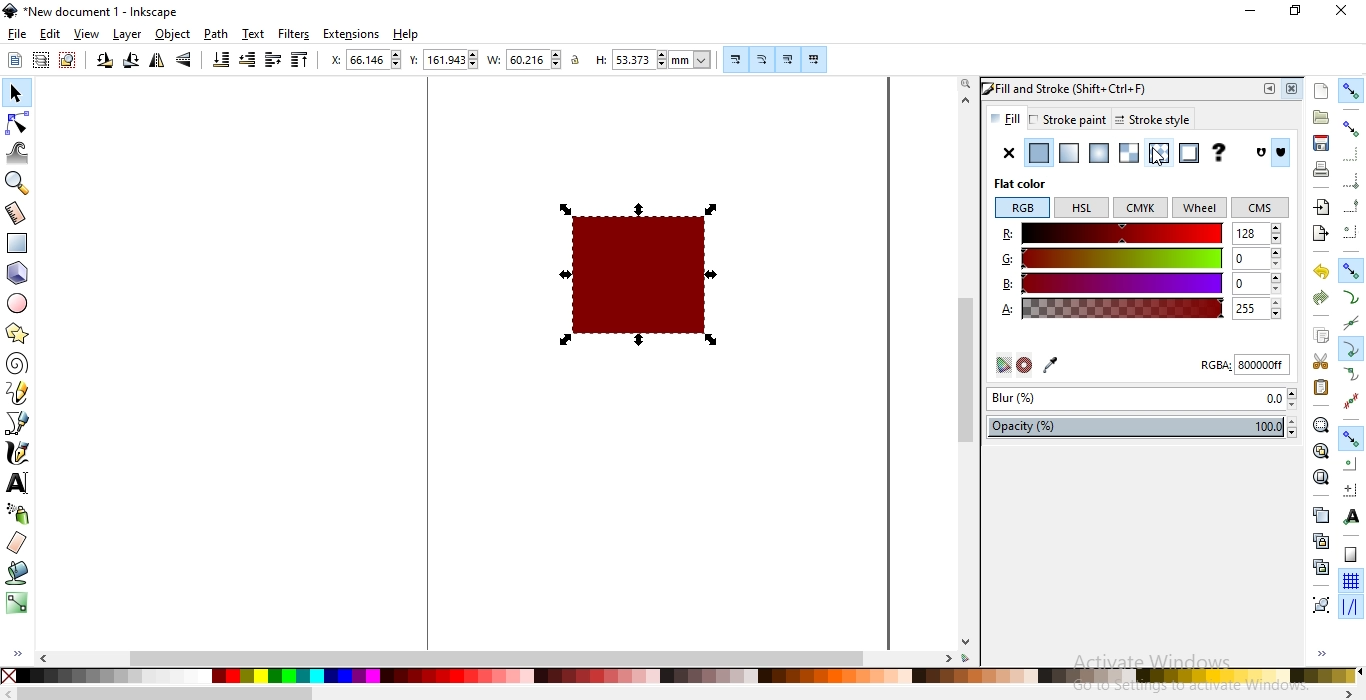 The image size is (1366, 700). Describe the element at coordinates (20, 244) in the screenshot. I see `create rectangles and squares` at that location.